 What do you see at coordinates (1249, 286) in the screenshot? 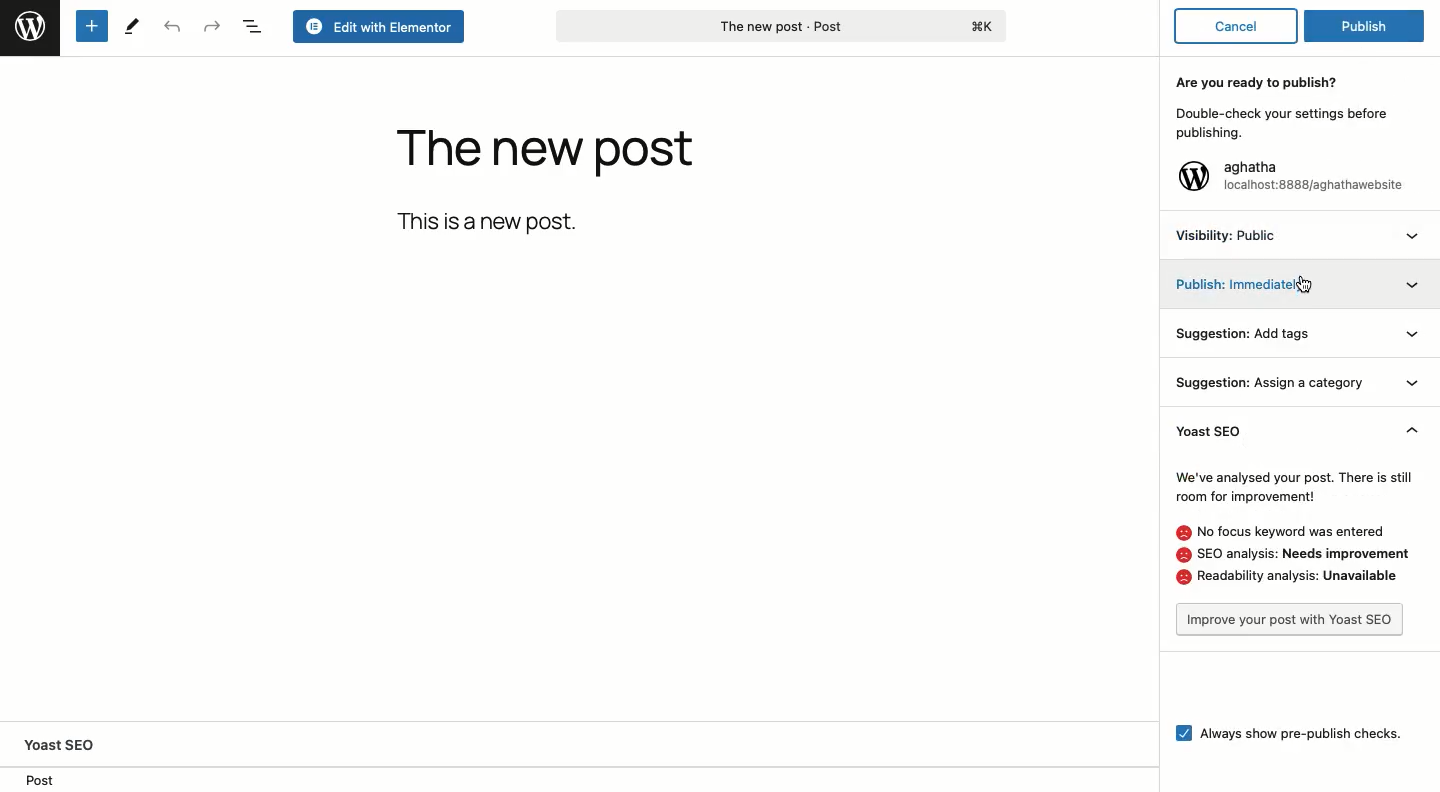
I see `Publish: Immediately` at bounding box center [1249, 286].